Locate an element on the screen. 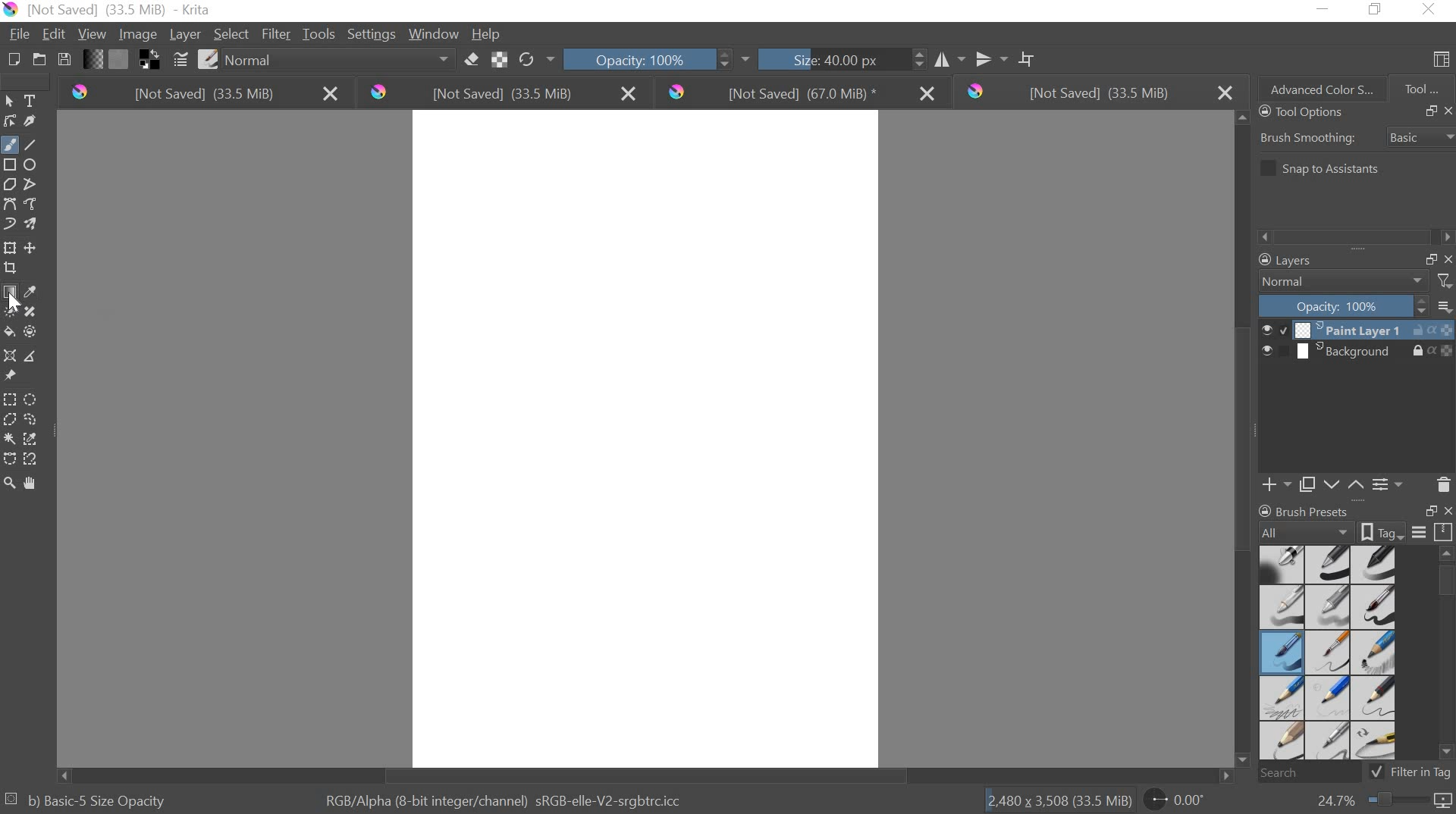 The height and width of the screenshot is (814, 1456). colorize mask tool is located at coordinates (13, 311).